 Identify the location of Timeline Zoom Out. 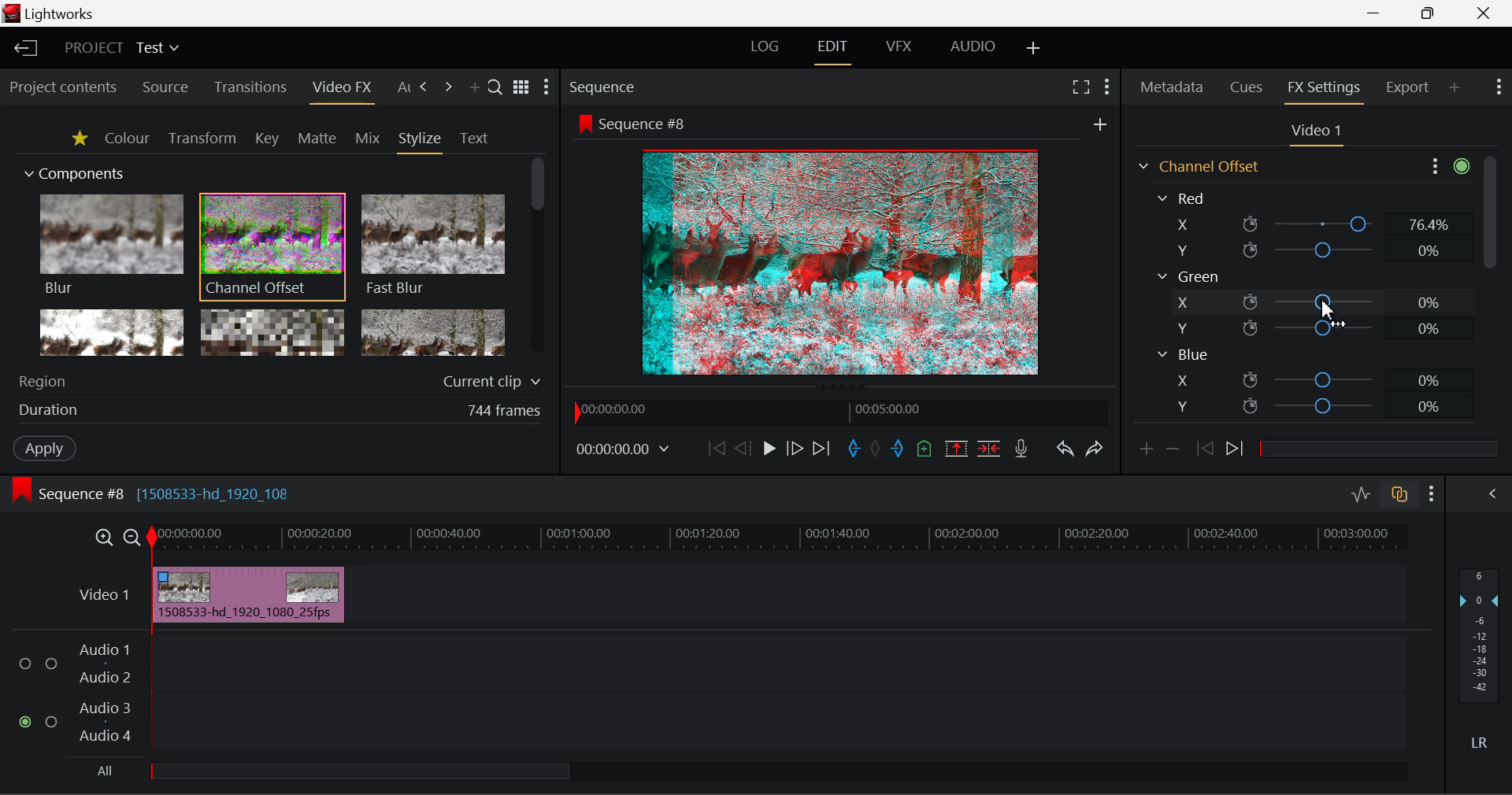
(134, 539).